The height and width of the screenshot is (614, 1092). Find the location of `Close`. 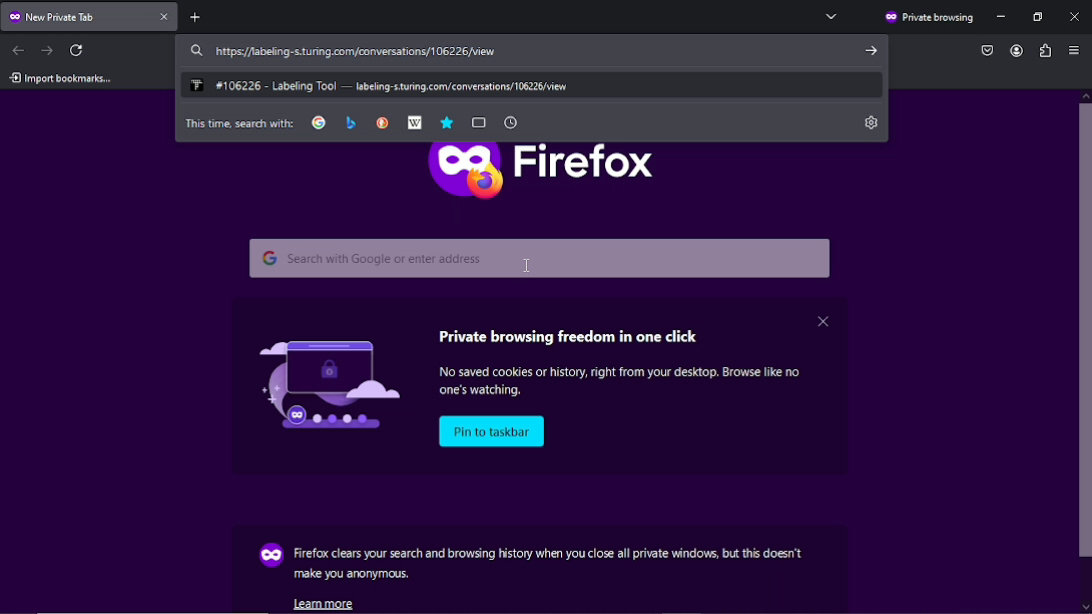

Close is located at coordinates (1075, 15).